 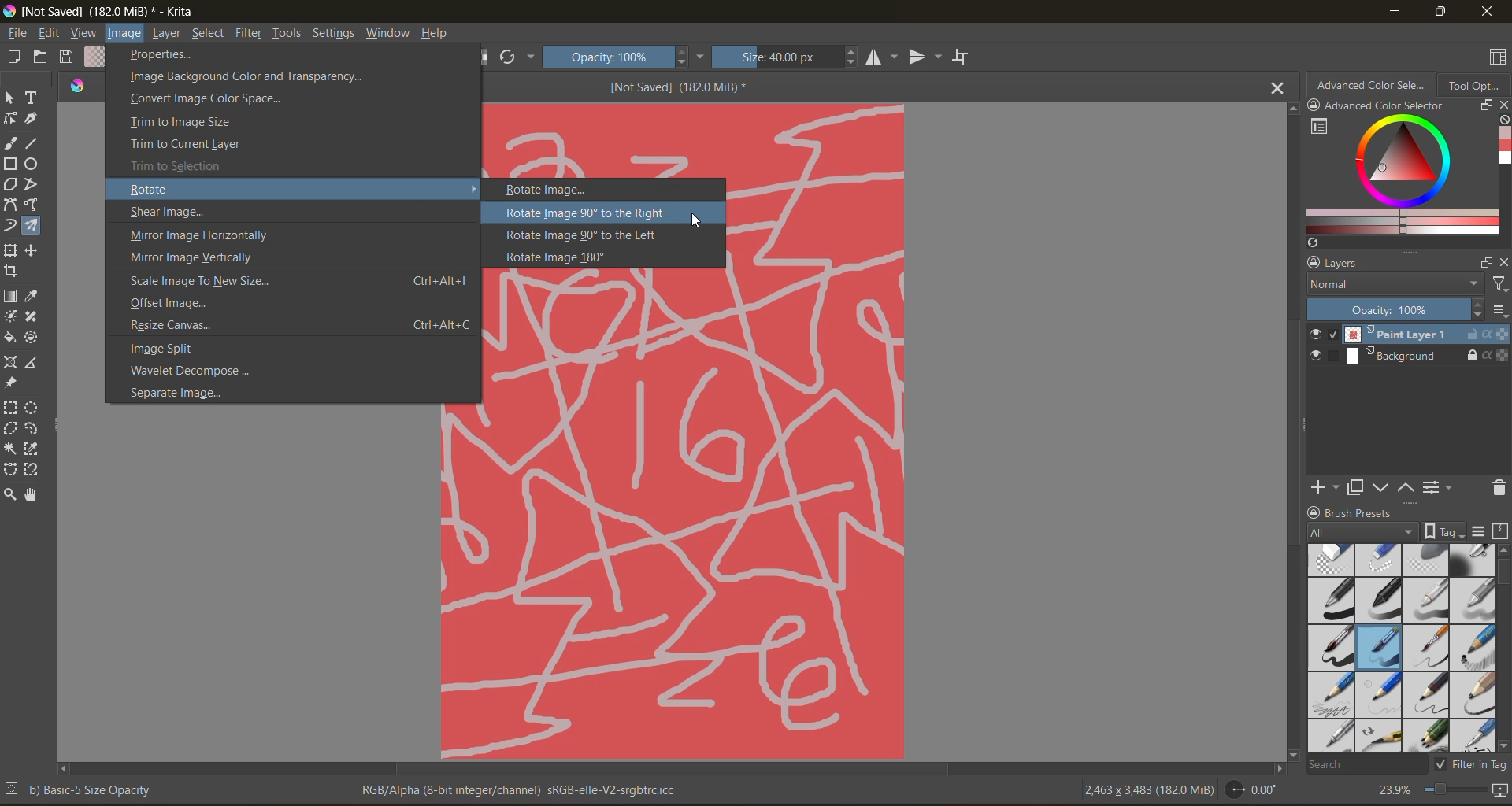 I want to click on display settings, so click(x=1480, y=532).